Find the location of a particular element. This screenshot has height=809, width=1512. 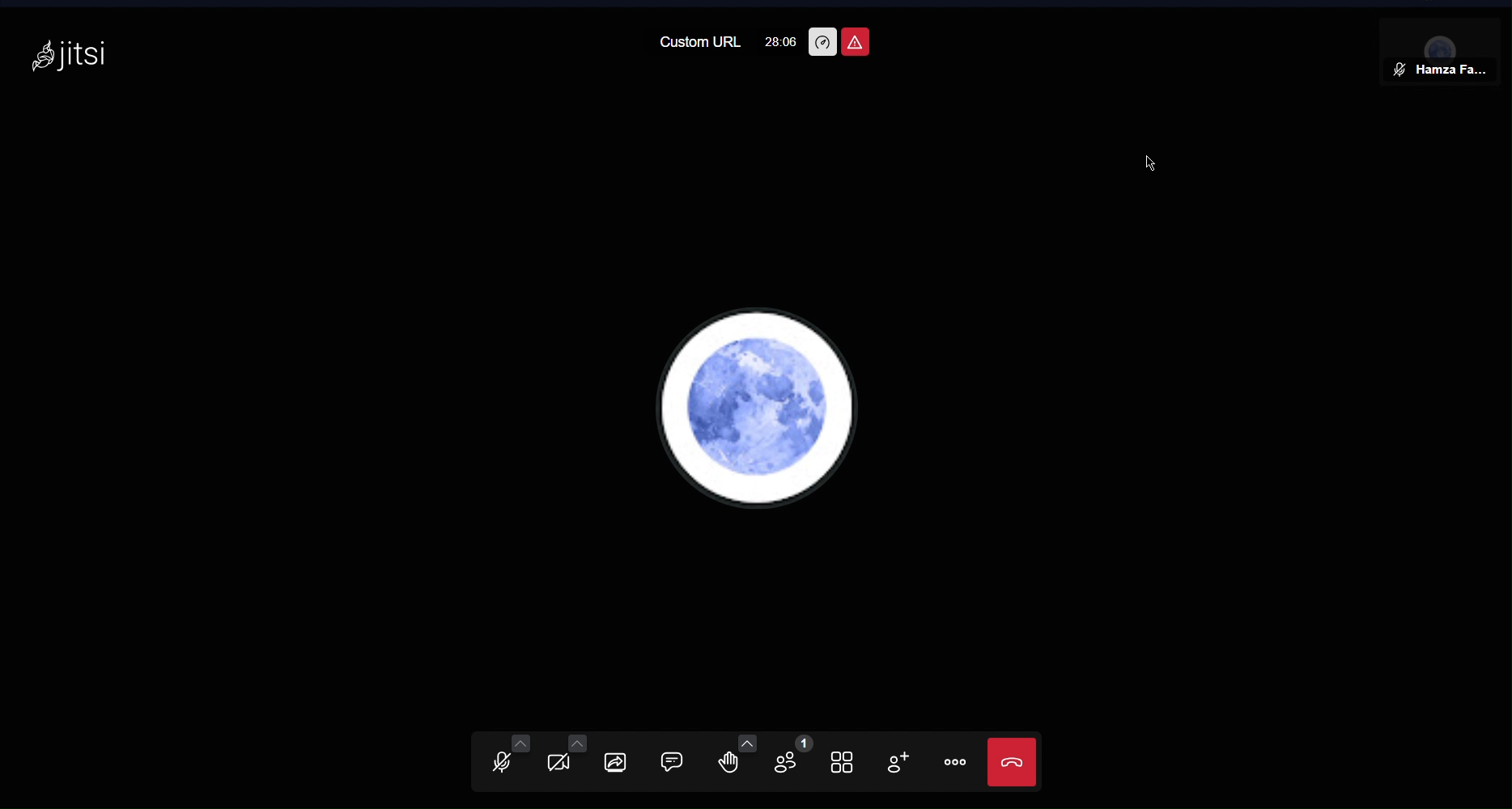

Cursor is located at coordinates (1149, 165).